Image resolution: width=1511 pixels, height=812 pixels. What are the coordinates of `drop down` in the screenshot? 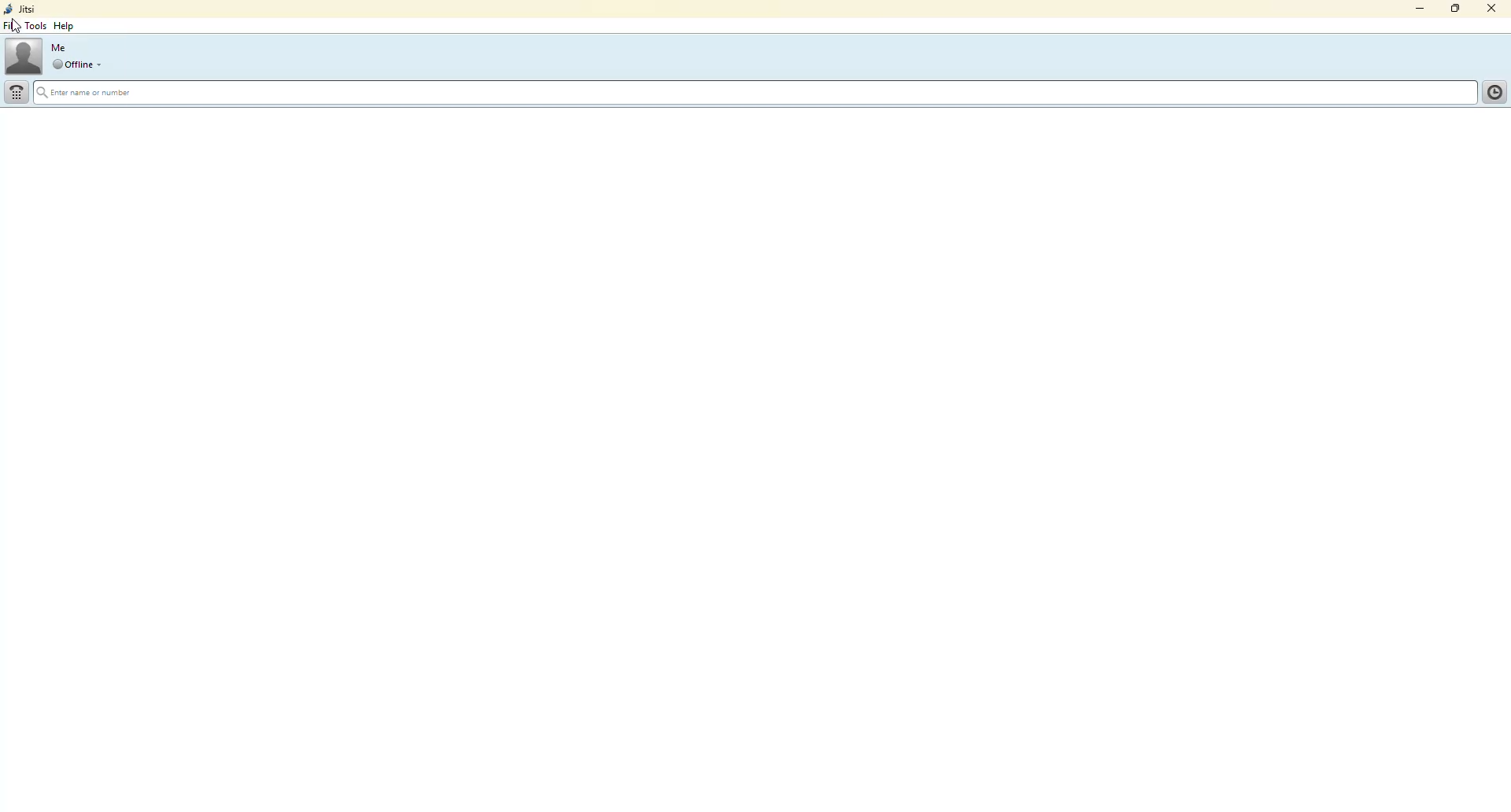 It's located at (103, 65).